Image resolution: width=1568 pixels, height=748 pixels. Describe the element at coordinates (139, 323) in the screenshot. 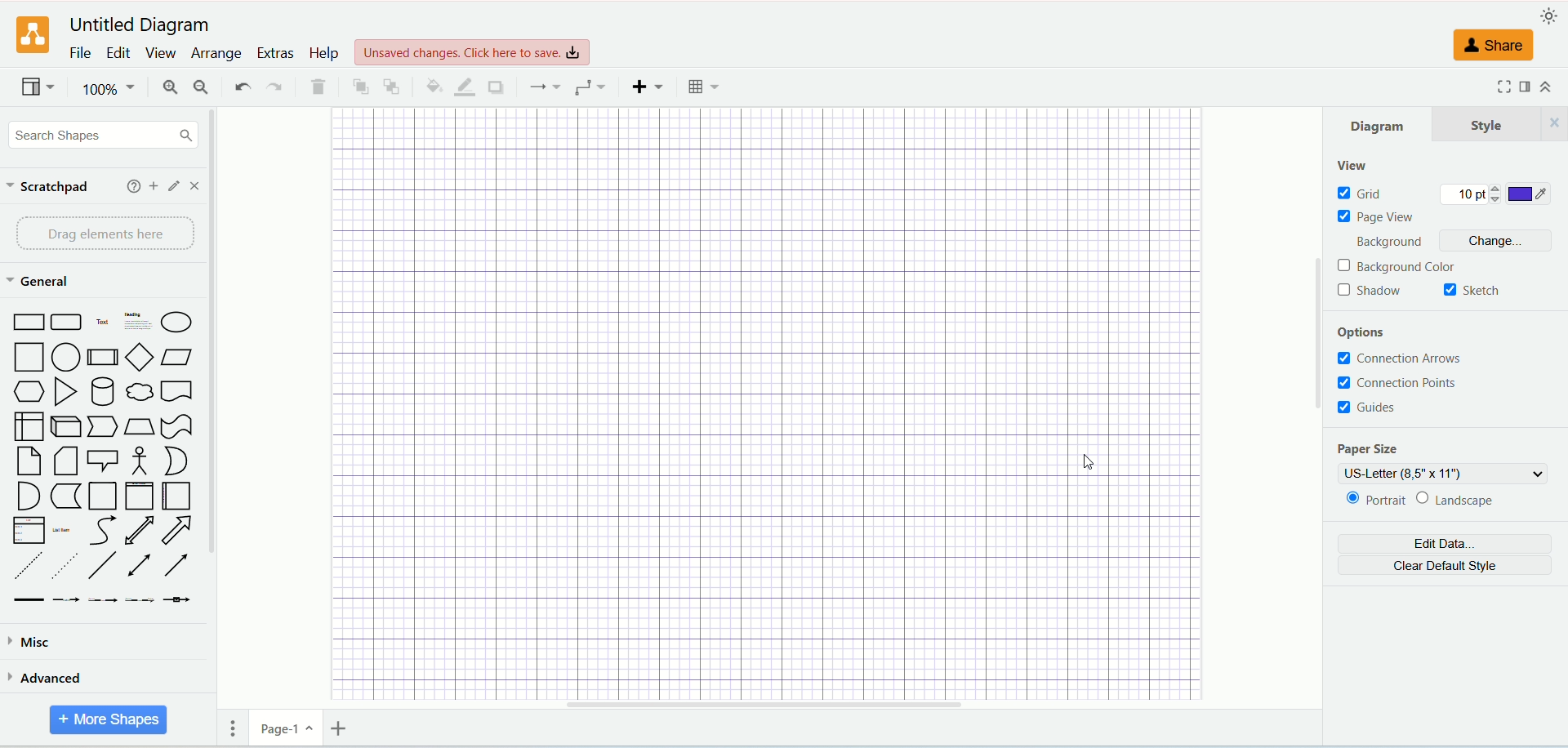

I see `Heading with Text` at that location.